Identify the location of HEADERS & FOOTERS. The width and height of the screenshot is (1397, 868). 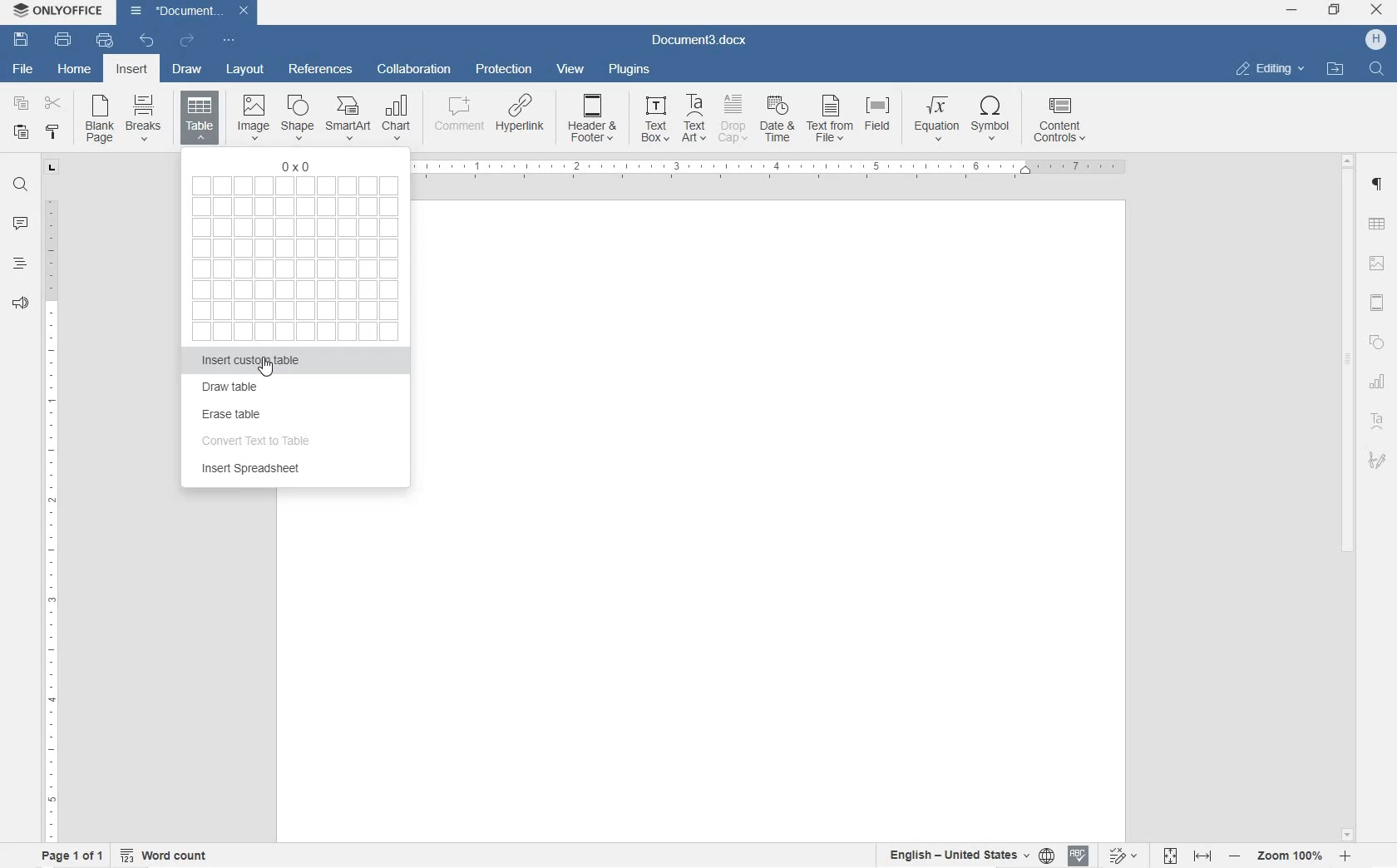
(1378, 304).